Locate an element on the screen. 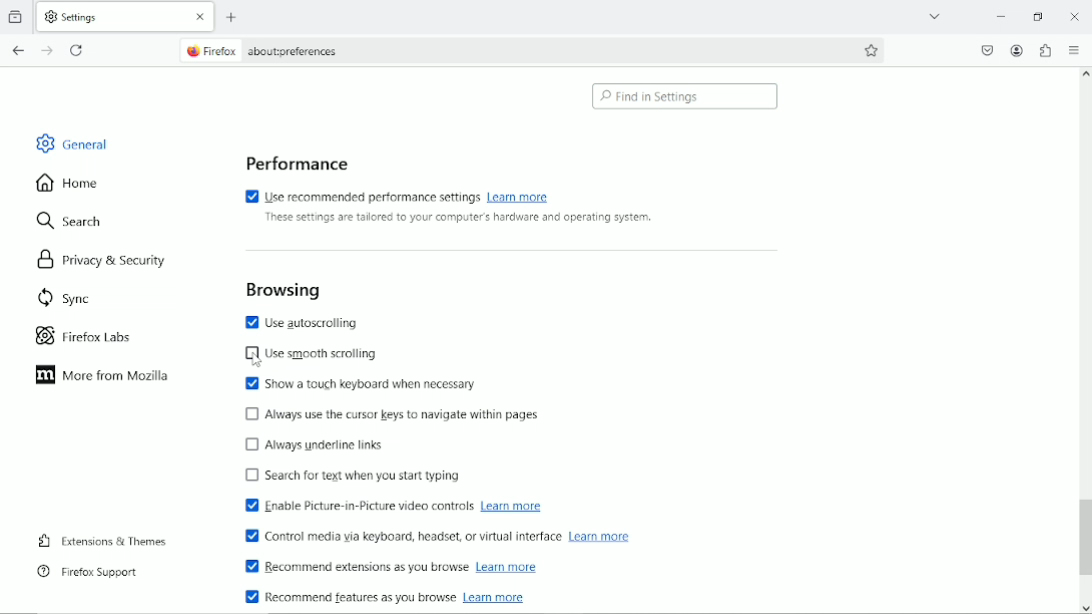 This screenshot has height=614, width=1092. Learn more is located at coordinates (493, 596).